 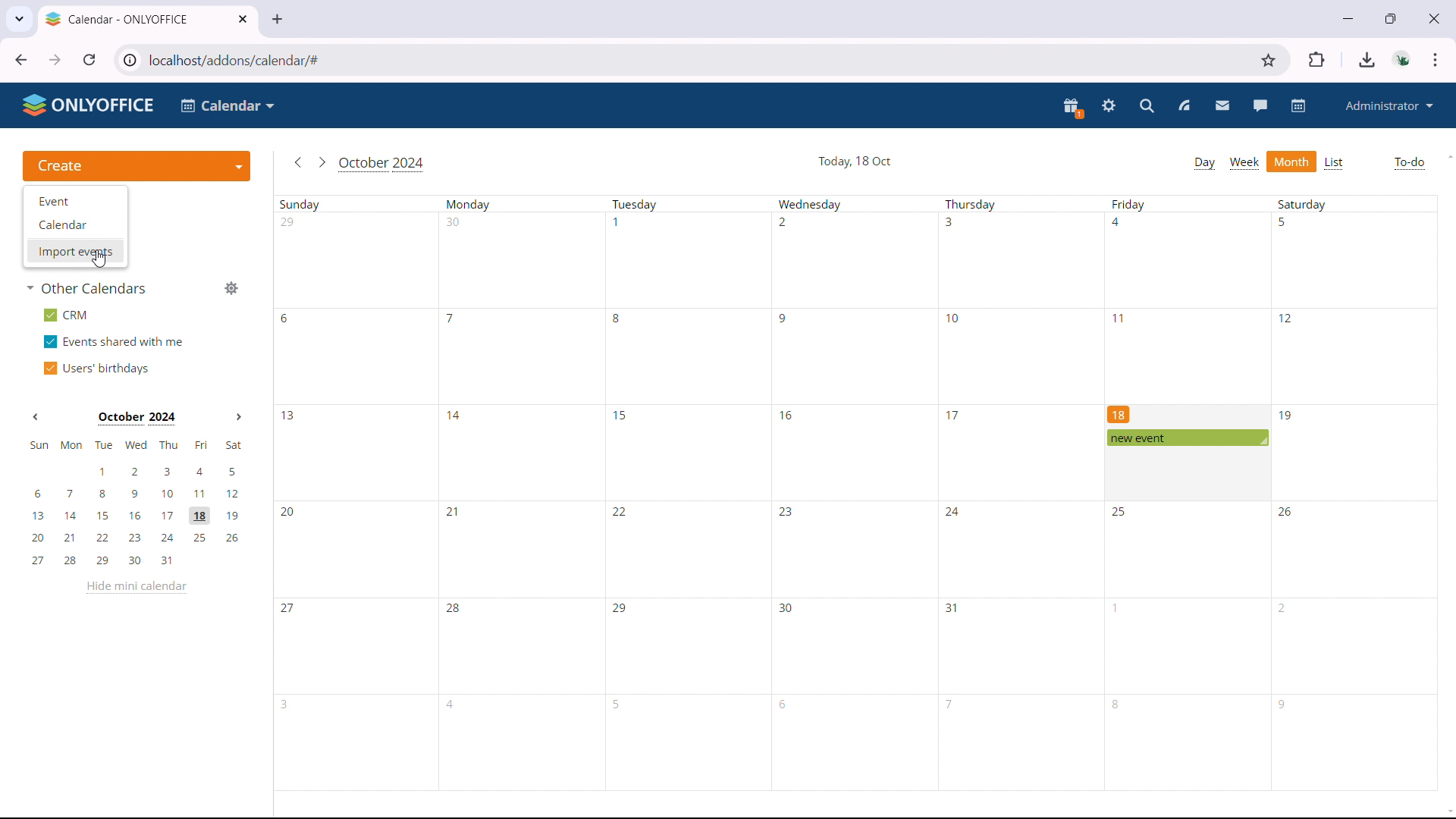 I want to click on Thursday, so click(x=971, y=205).